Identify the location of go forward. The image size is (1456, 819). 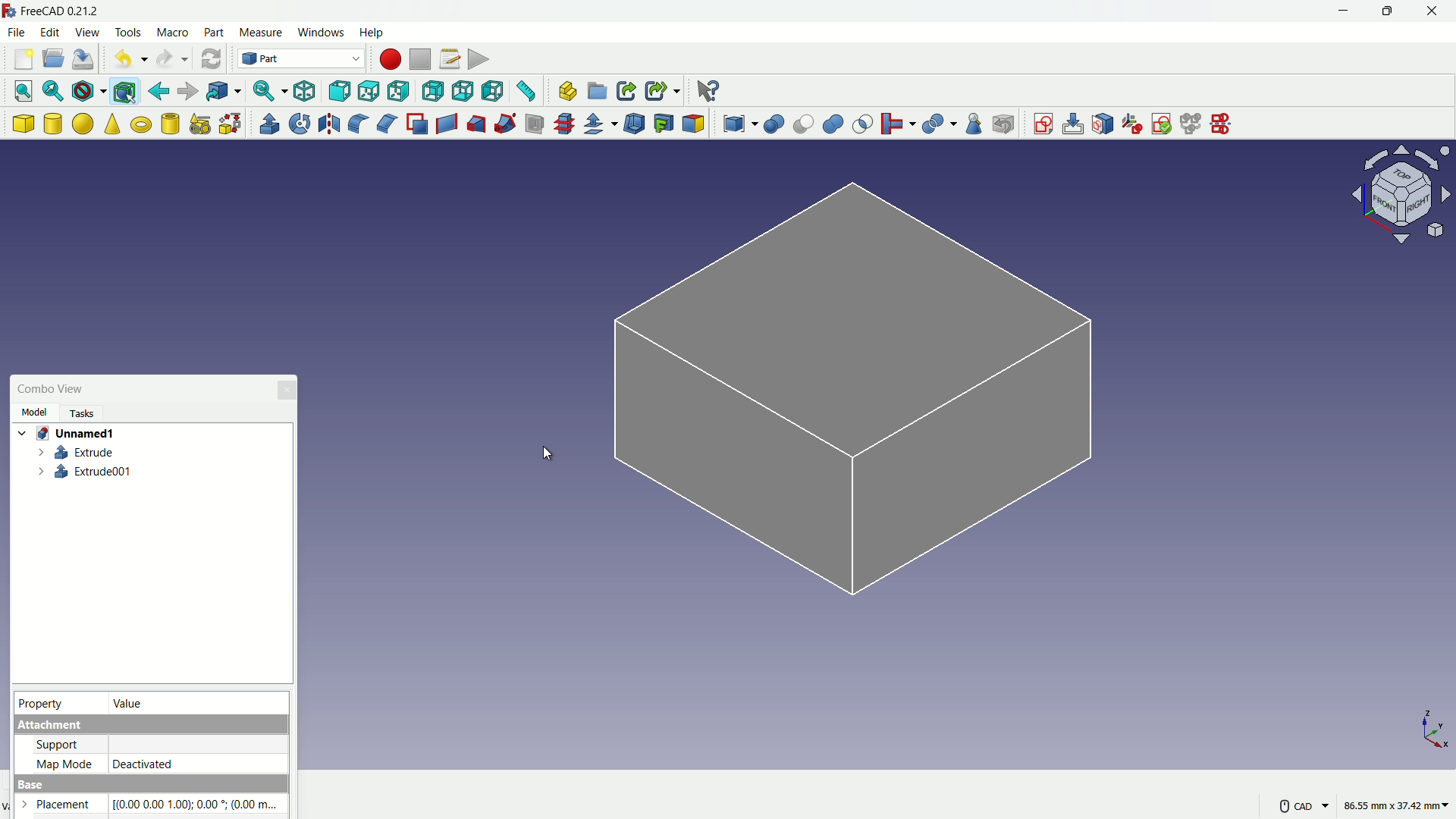
(188, 91).